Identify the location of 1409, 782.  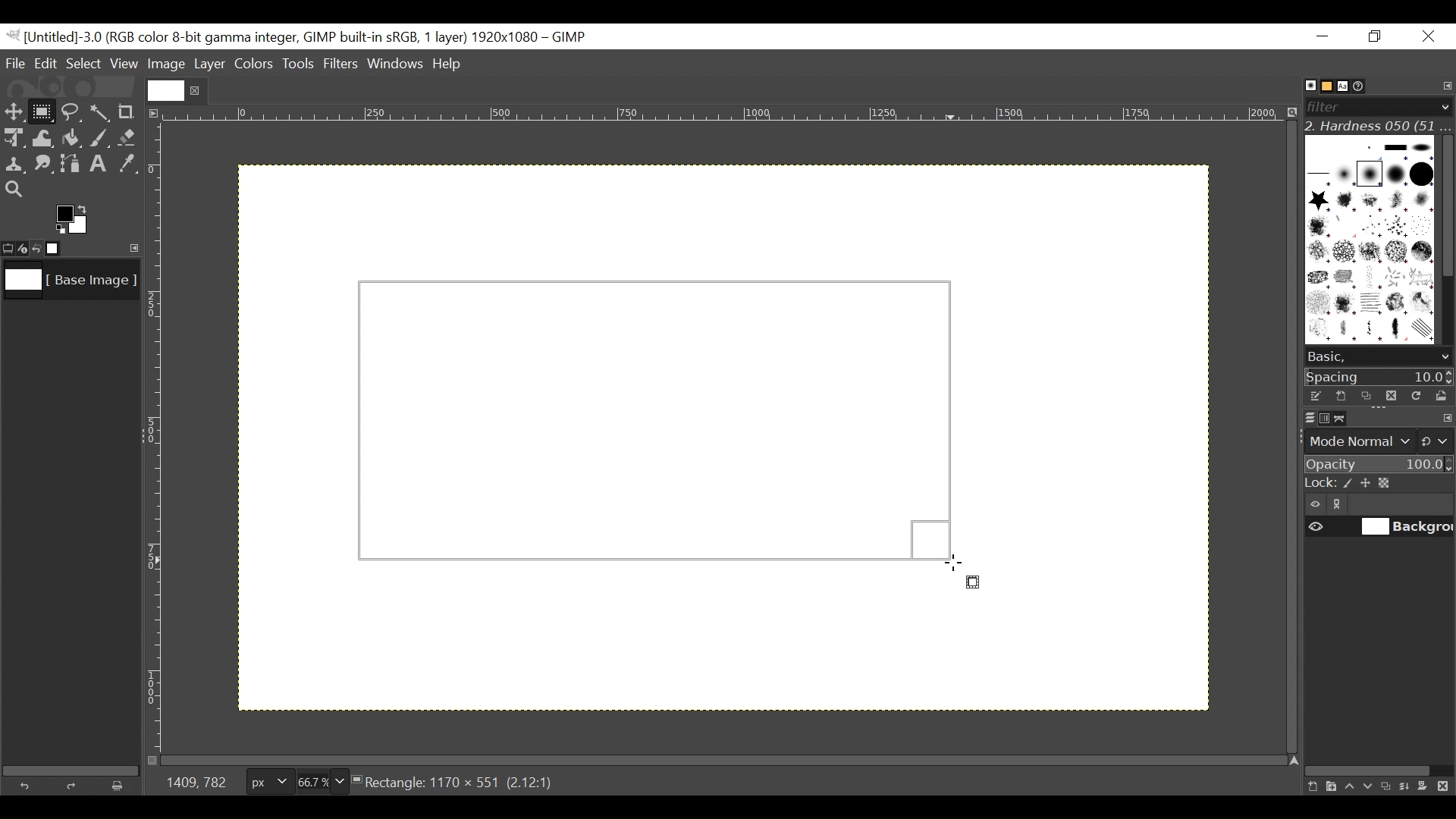
(193, 783).